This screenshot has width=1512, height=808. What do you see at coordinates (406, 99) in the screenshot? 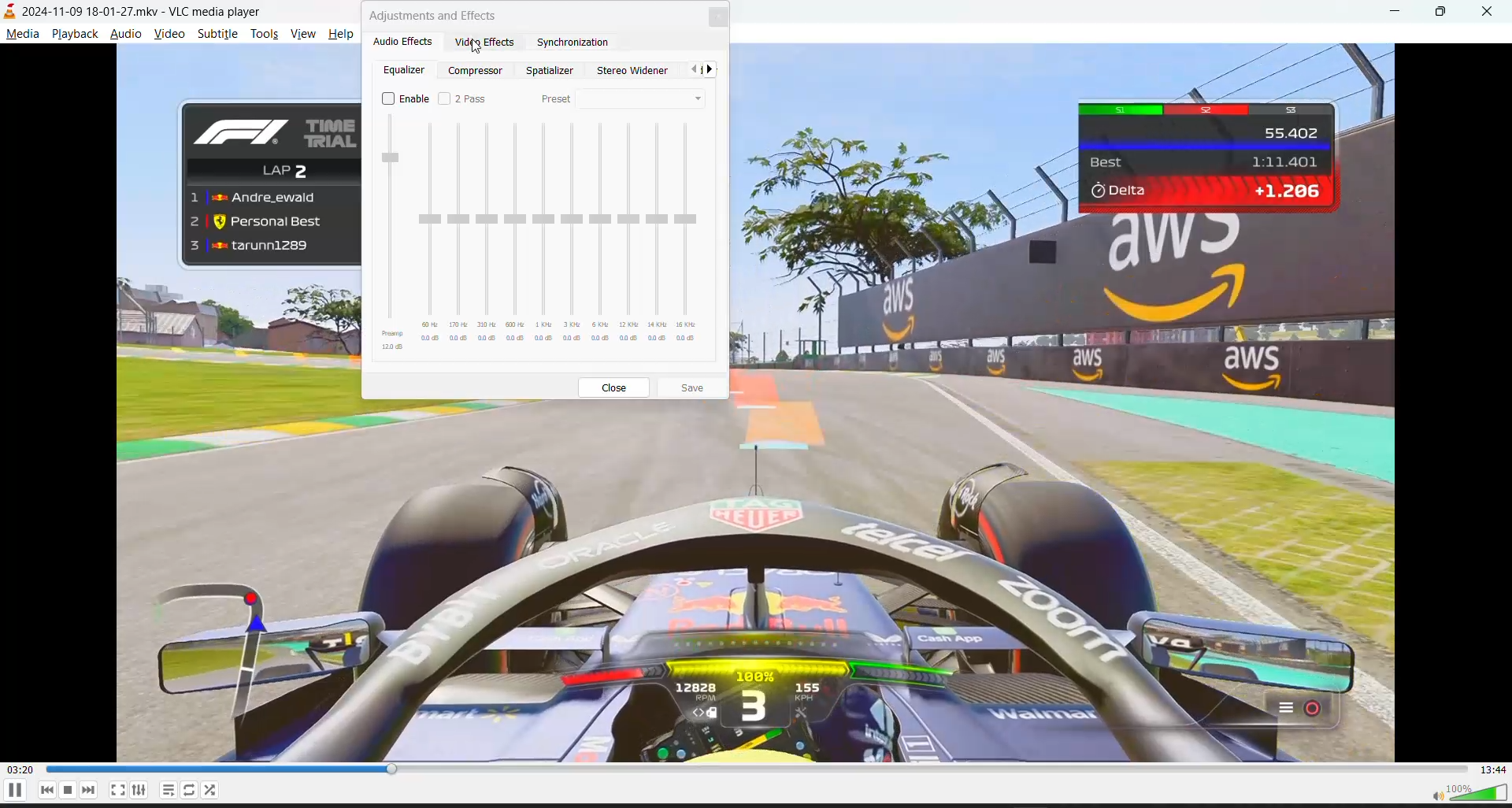
I see `enable` at bounding box center [406, 99].